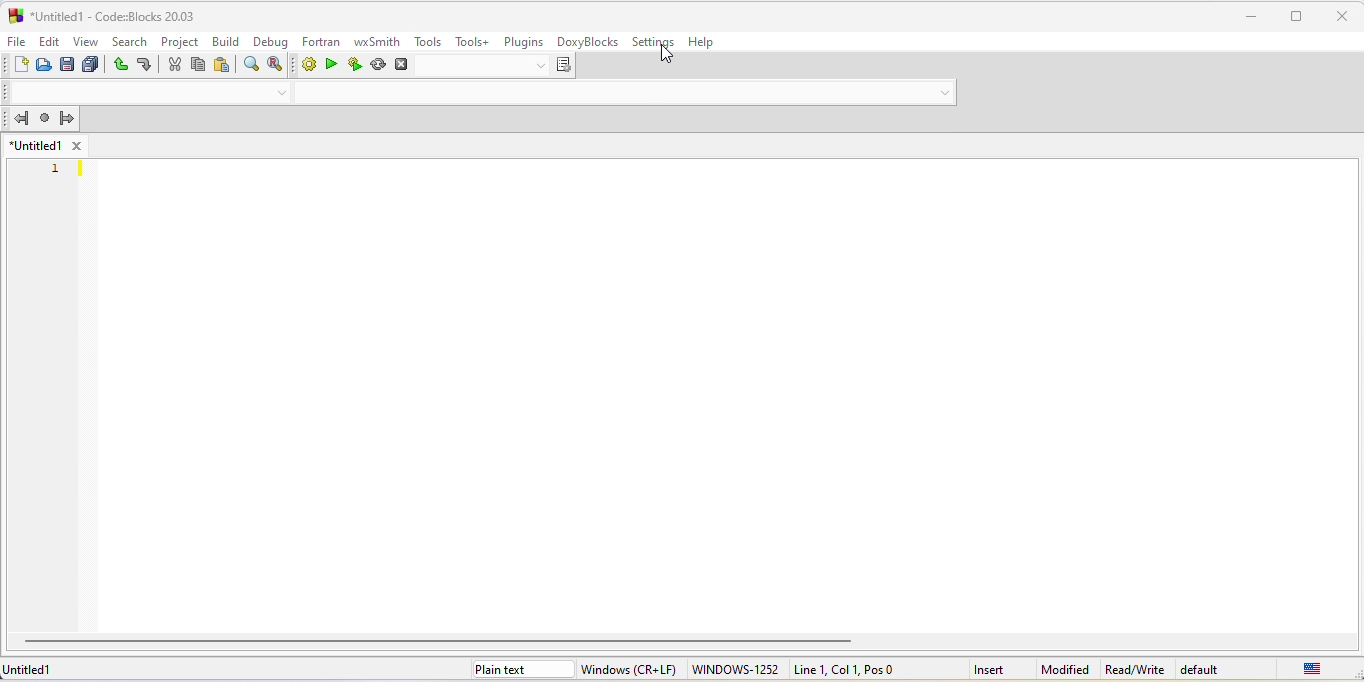  What do you see at coordinates (319, 42) in the screenshot?
I see `fortran` at bounding box center [319, 42].